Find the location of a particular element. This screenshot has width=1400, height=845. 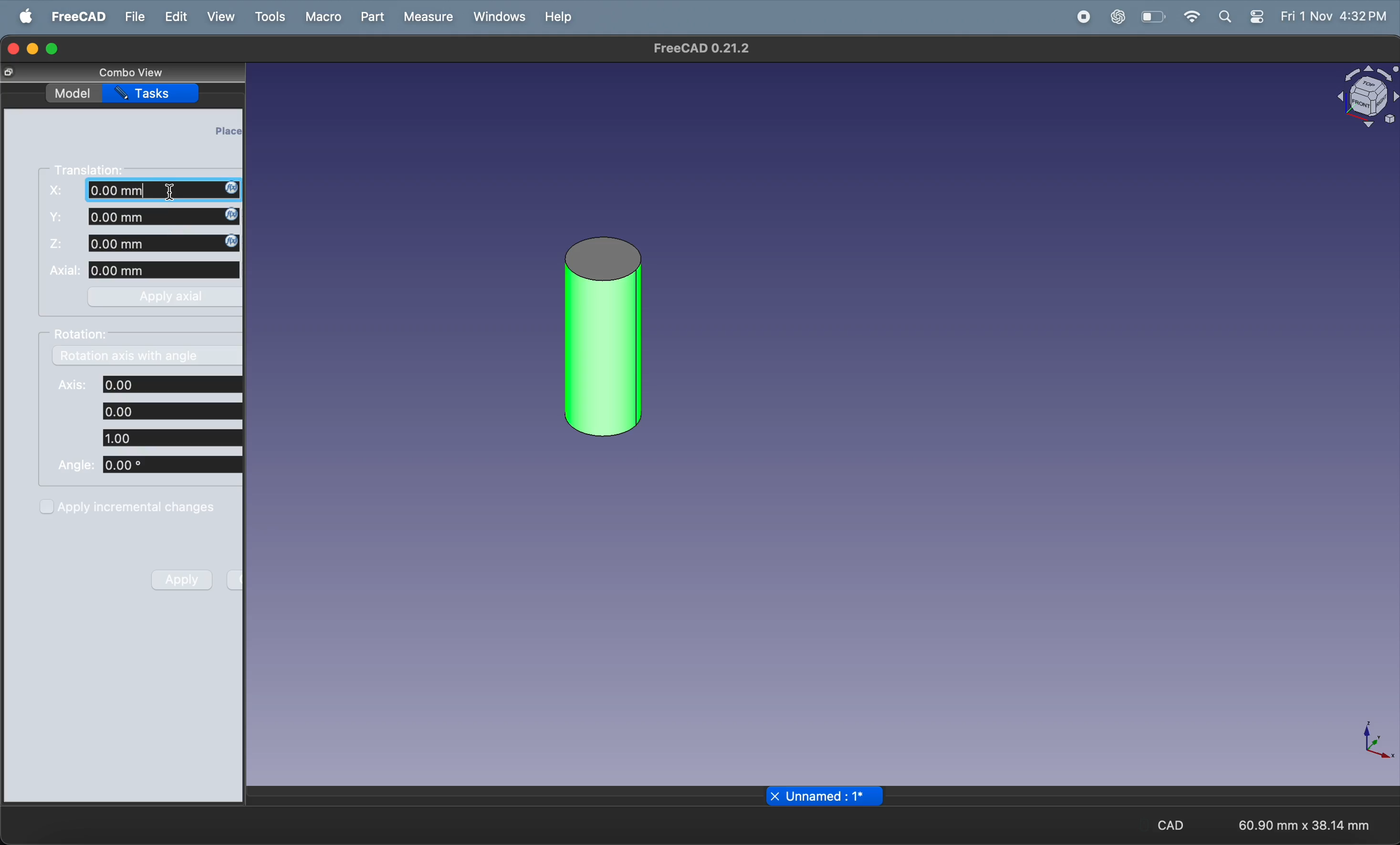

angle coordinates is located at coordinates (170, 465).